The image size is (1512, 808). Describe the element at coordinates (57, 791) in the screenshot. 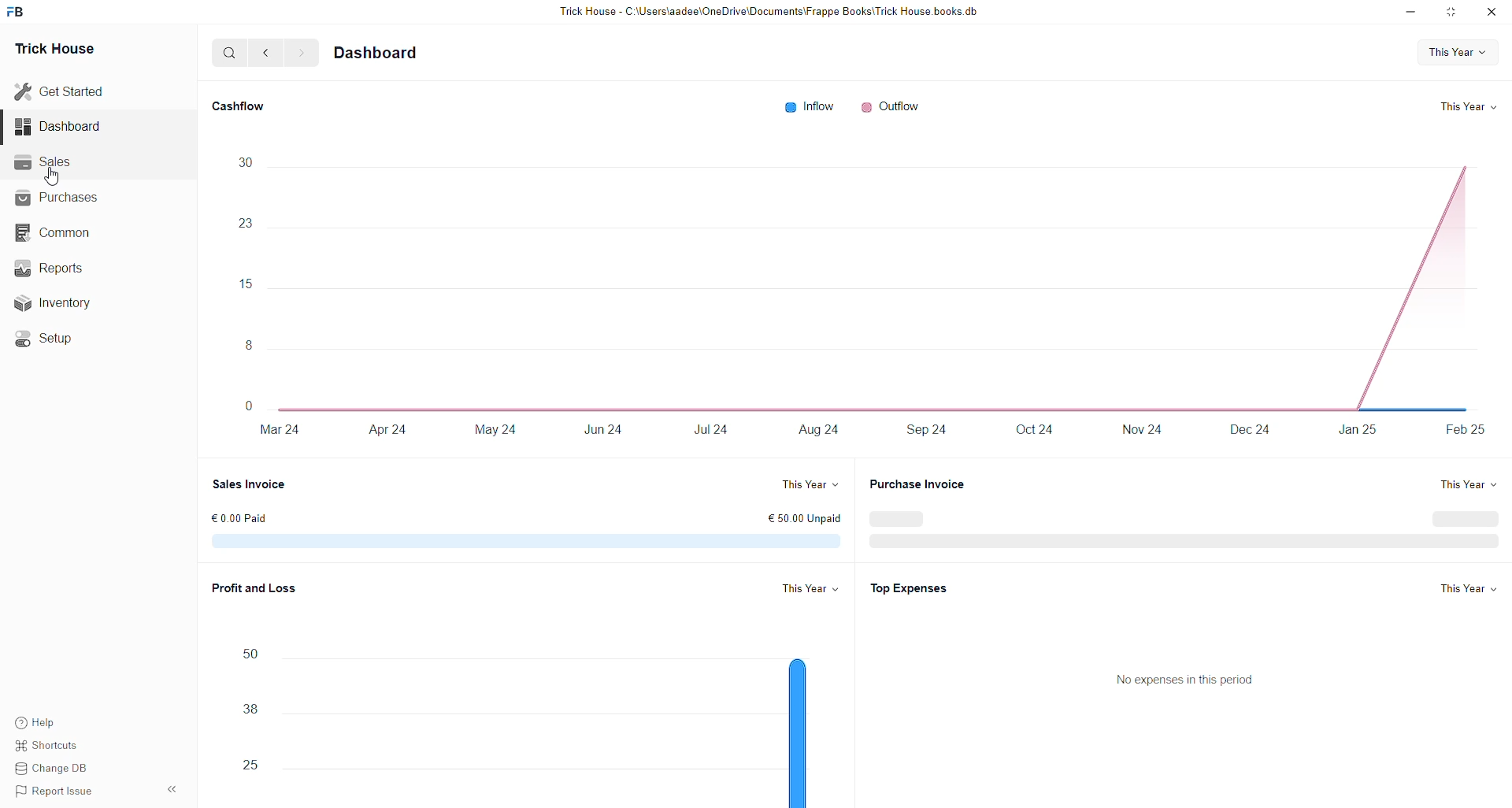

I see `Report Issue` at that location.